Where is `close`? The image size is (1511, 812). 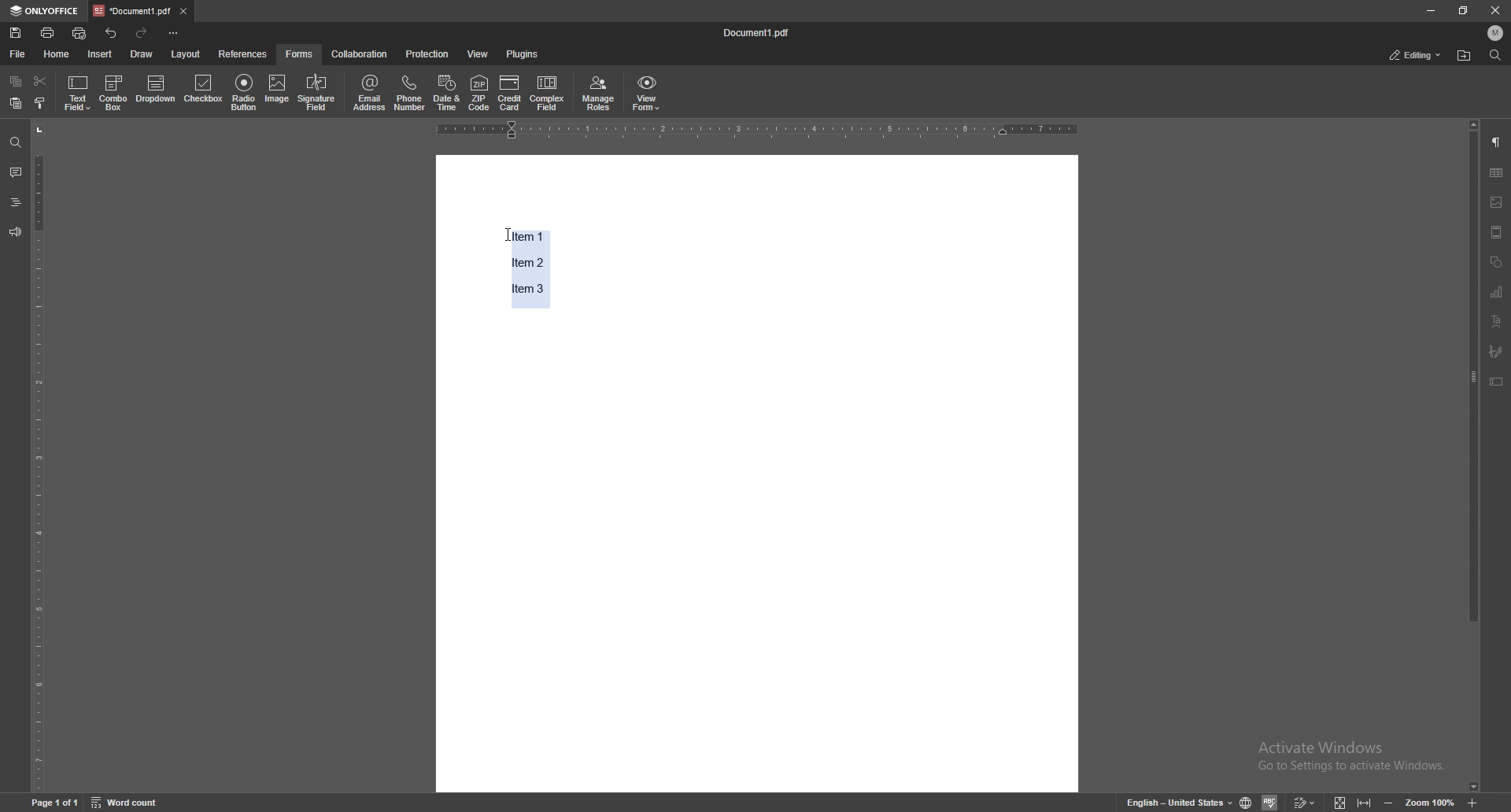
close is located at coordinates (1494, 10).